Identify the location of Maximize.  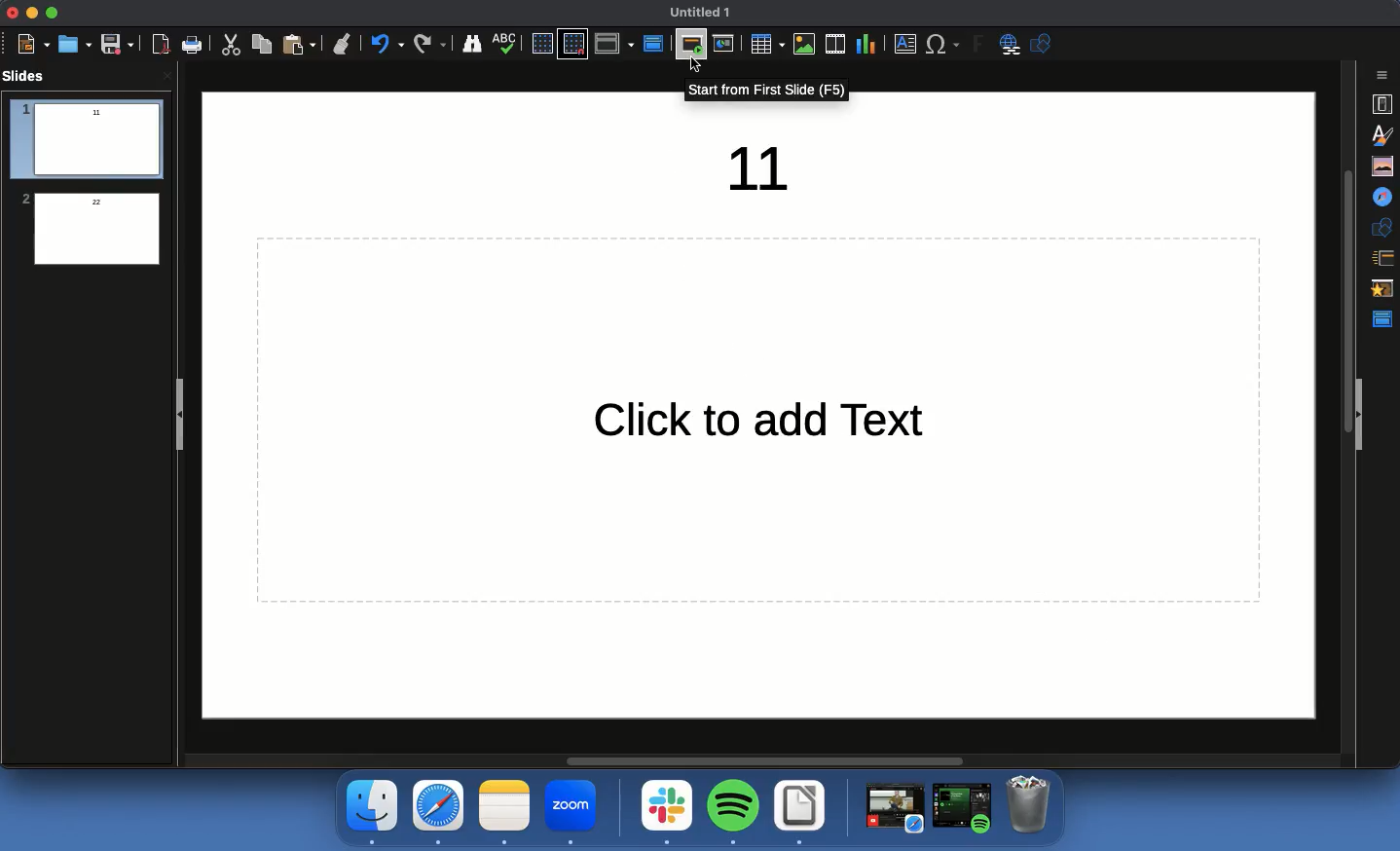
(55, 11).